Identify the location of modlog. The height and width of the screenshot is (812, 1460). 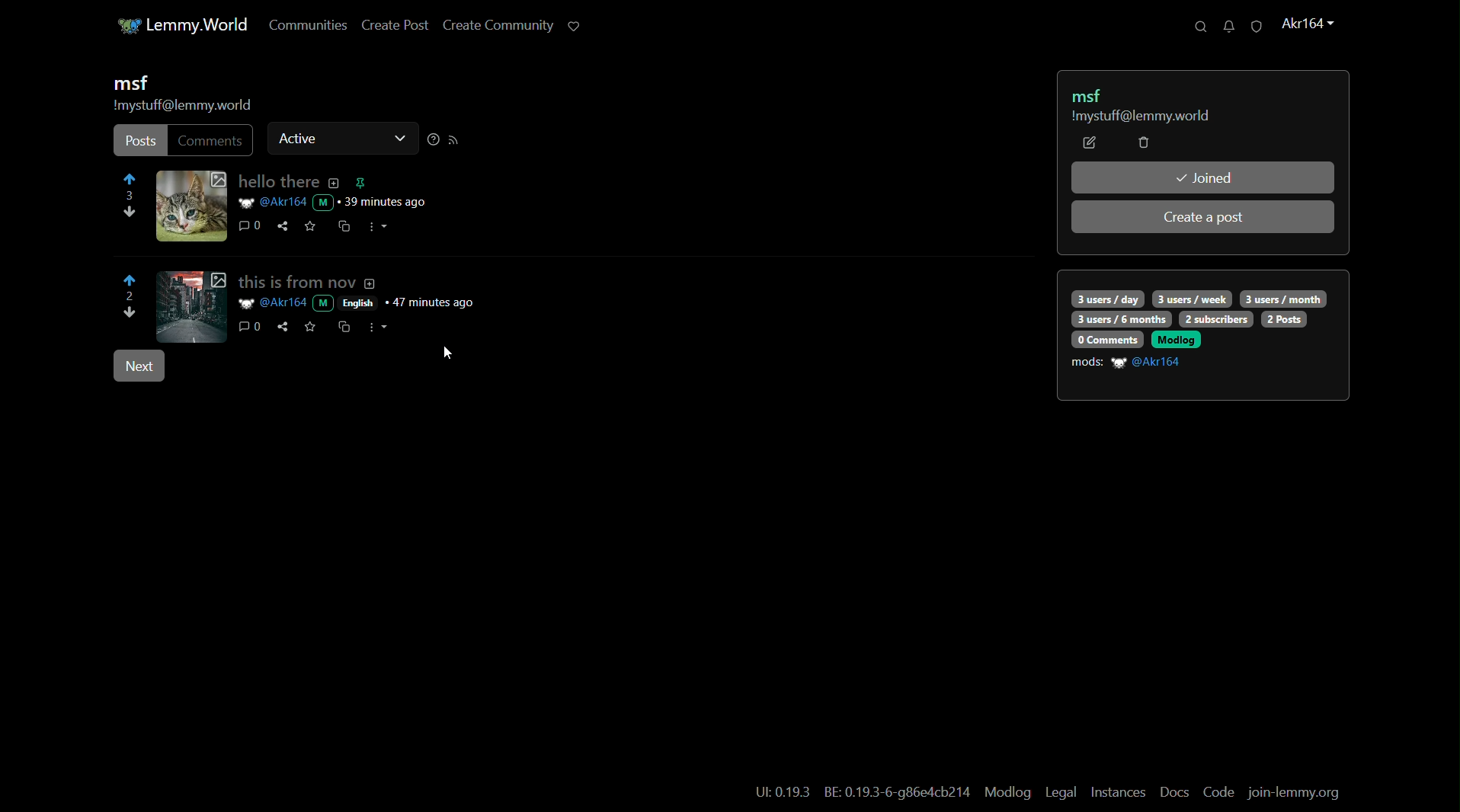
(1006, 791).